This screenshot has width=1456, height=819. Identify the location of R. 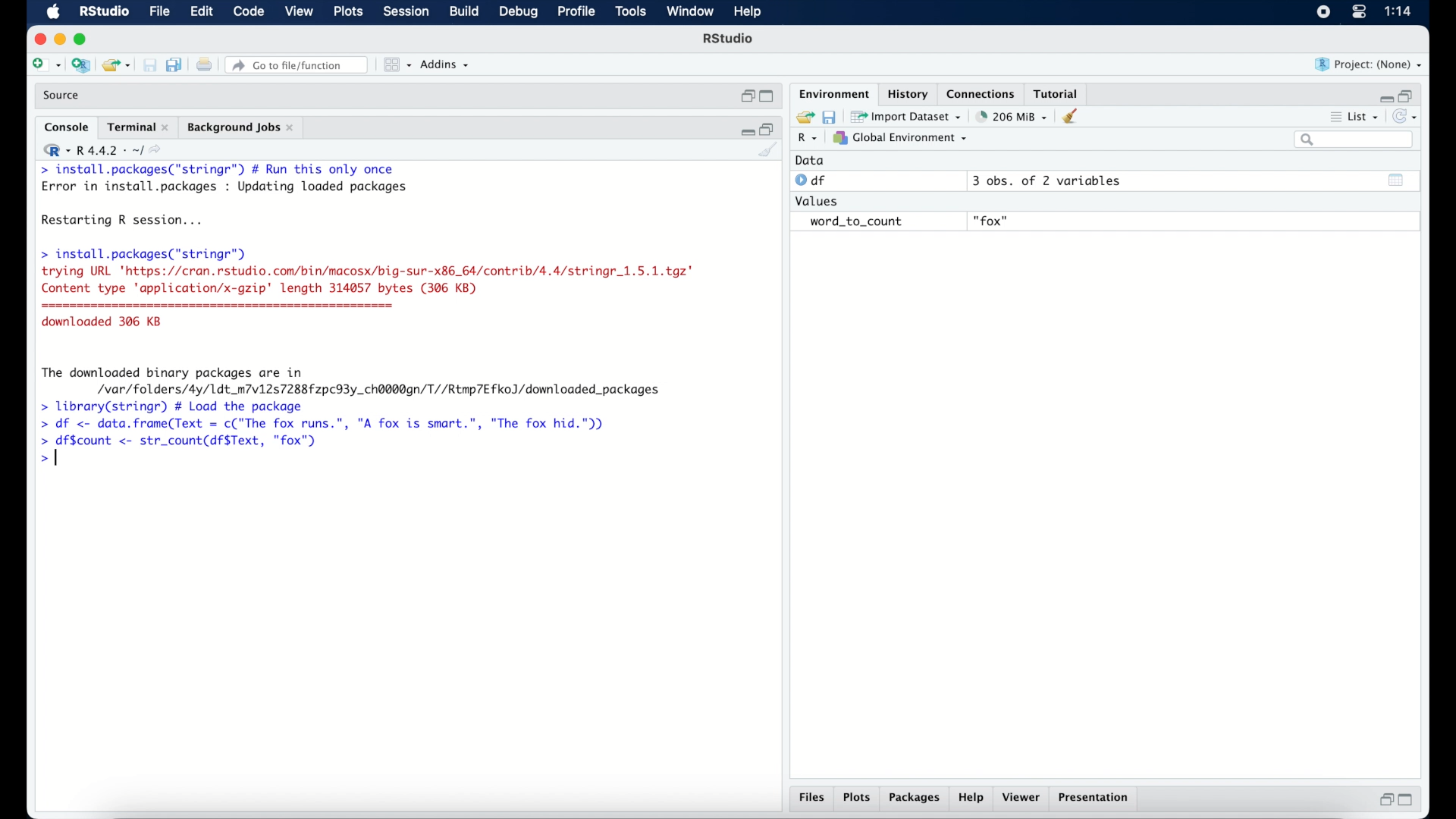
(808, 139).